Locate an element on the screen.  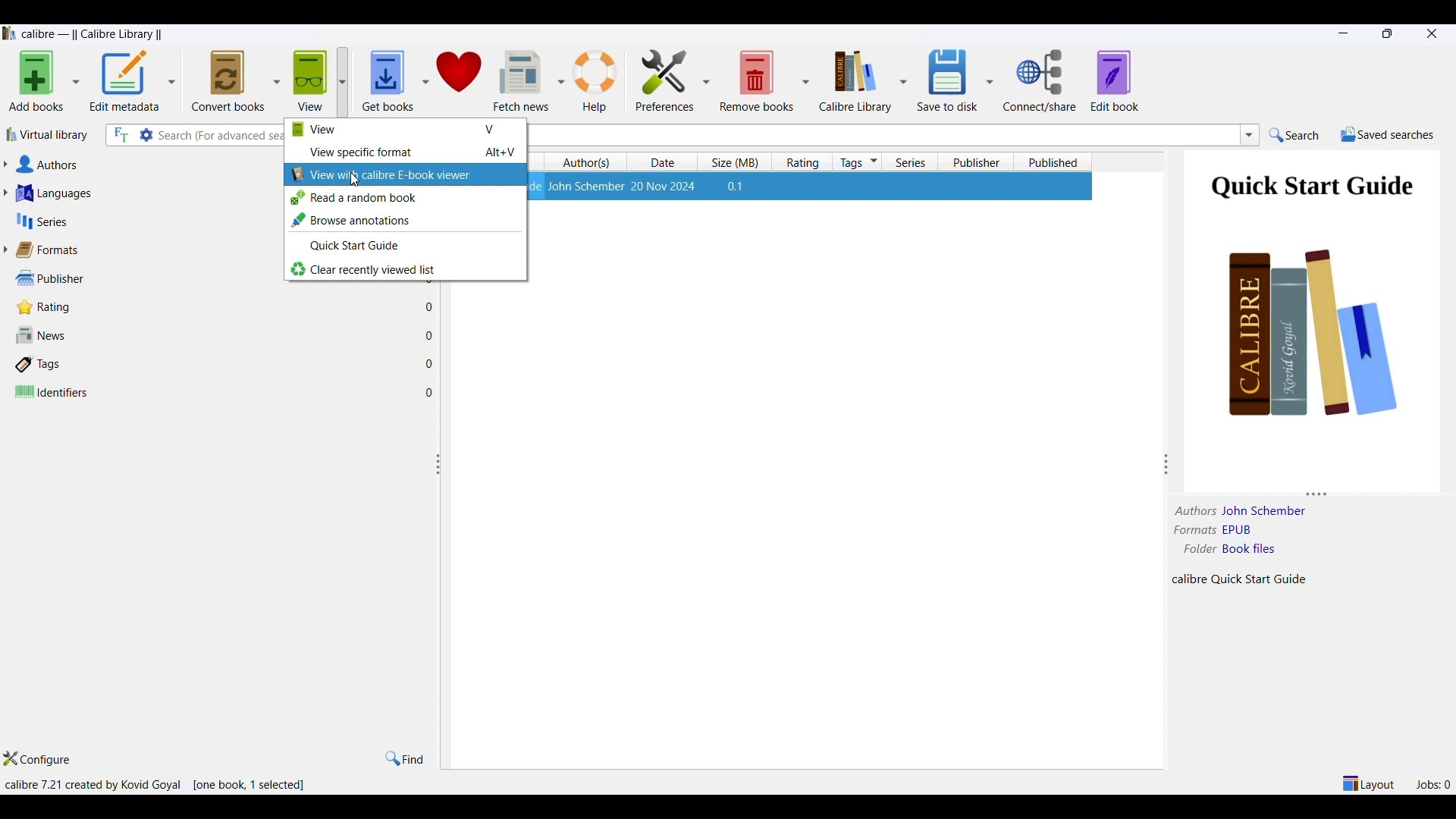
edit metadata is located at coordinates (126, 83).